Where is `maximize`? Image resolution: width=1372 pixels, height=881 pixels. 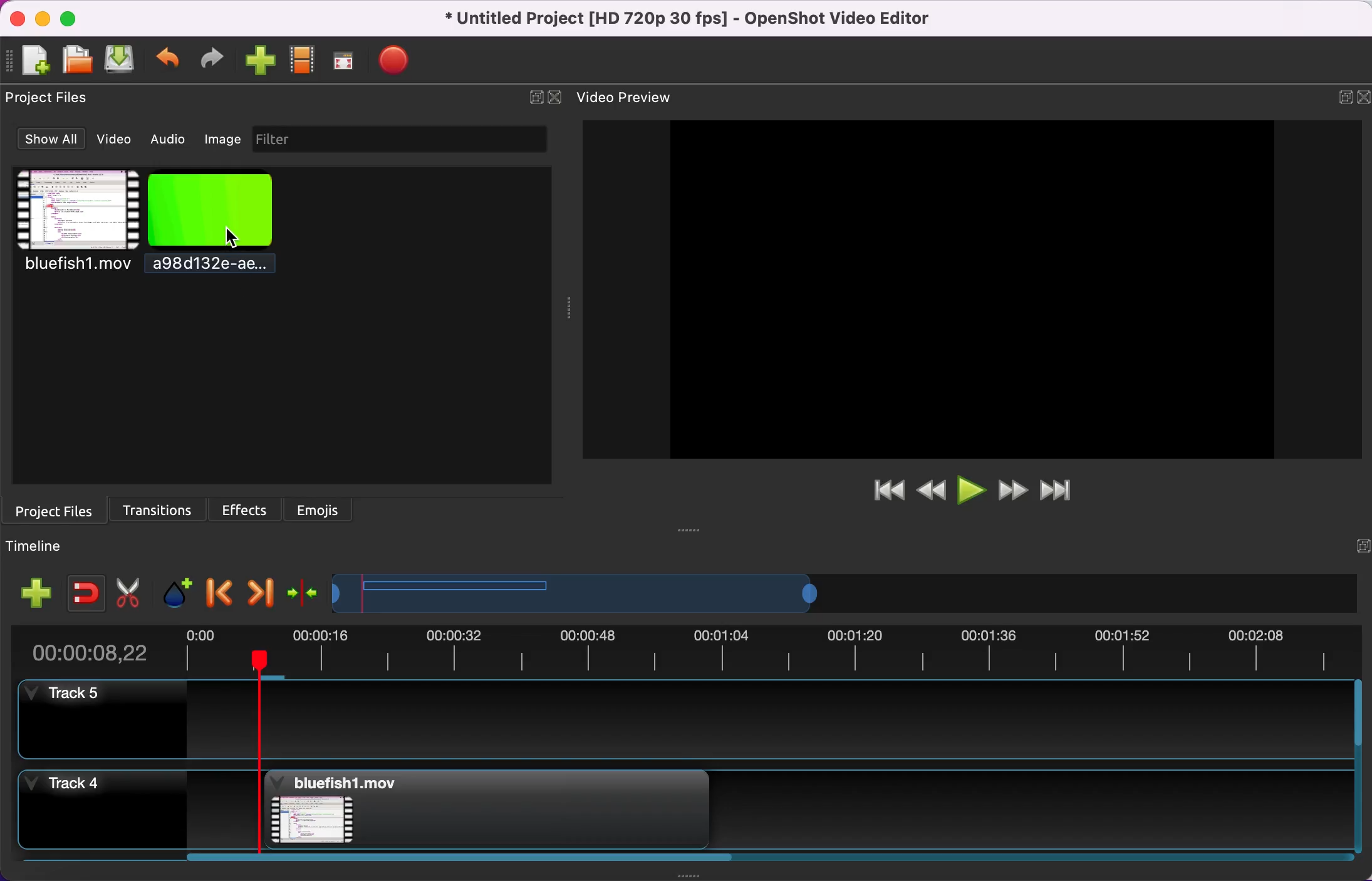
maximize is located at coordinates (74, 18).